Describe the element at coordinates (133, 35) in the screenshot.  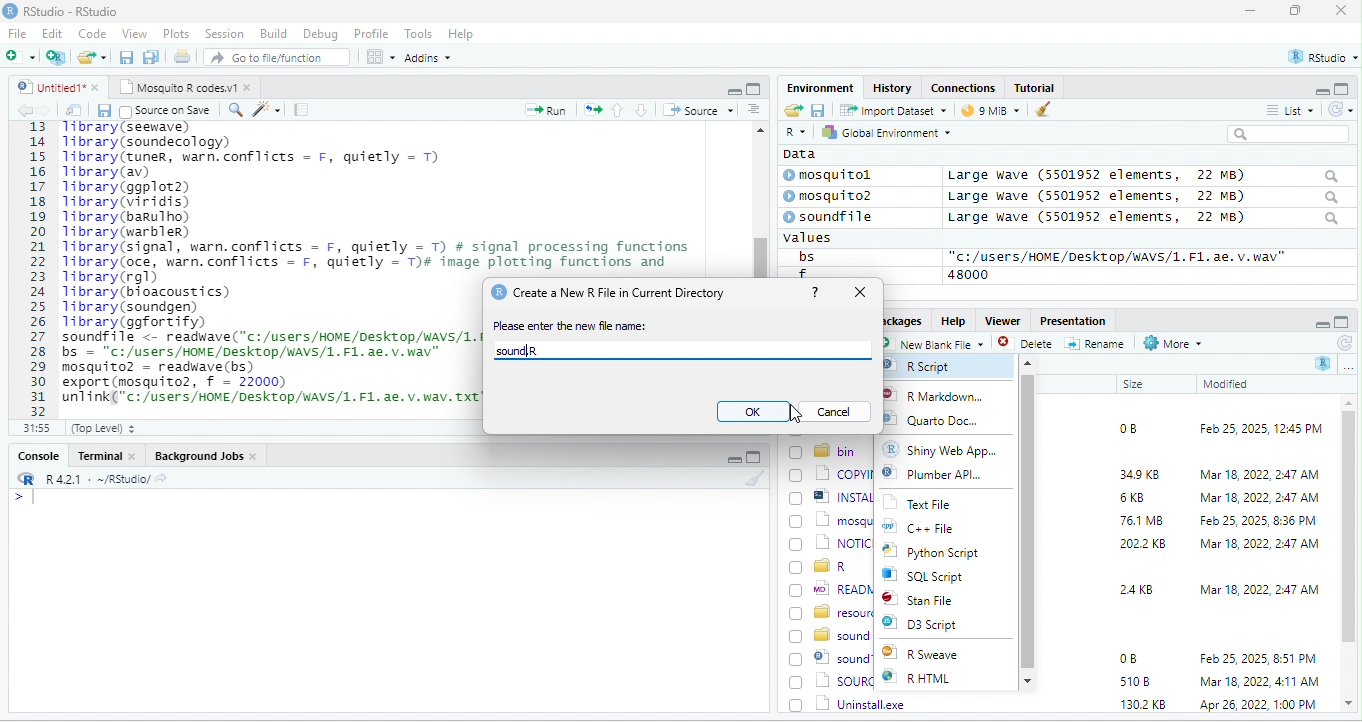
I see `View` at that location.